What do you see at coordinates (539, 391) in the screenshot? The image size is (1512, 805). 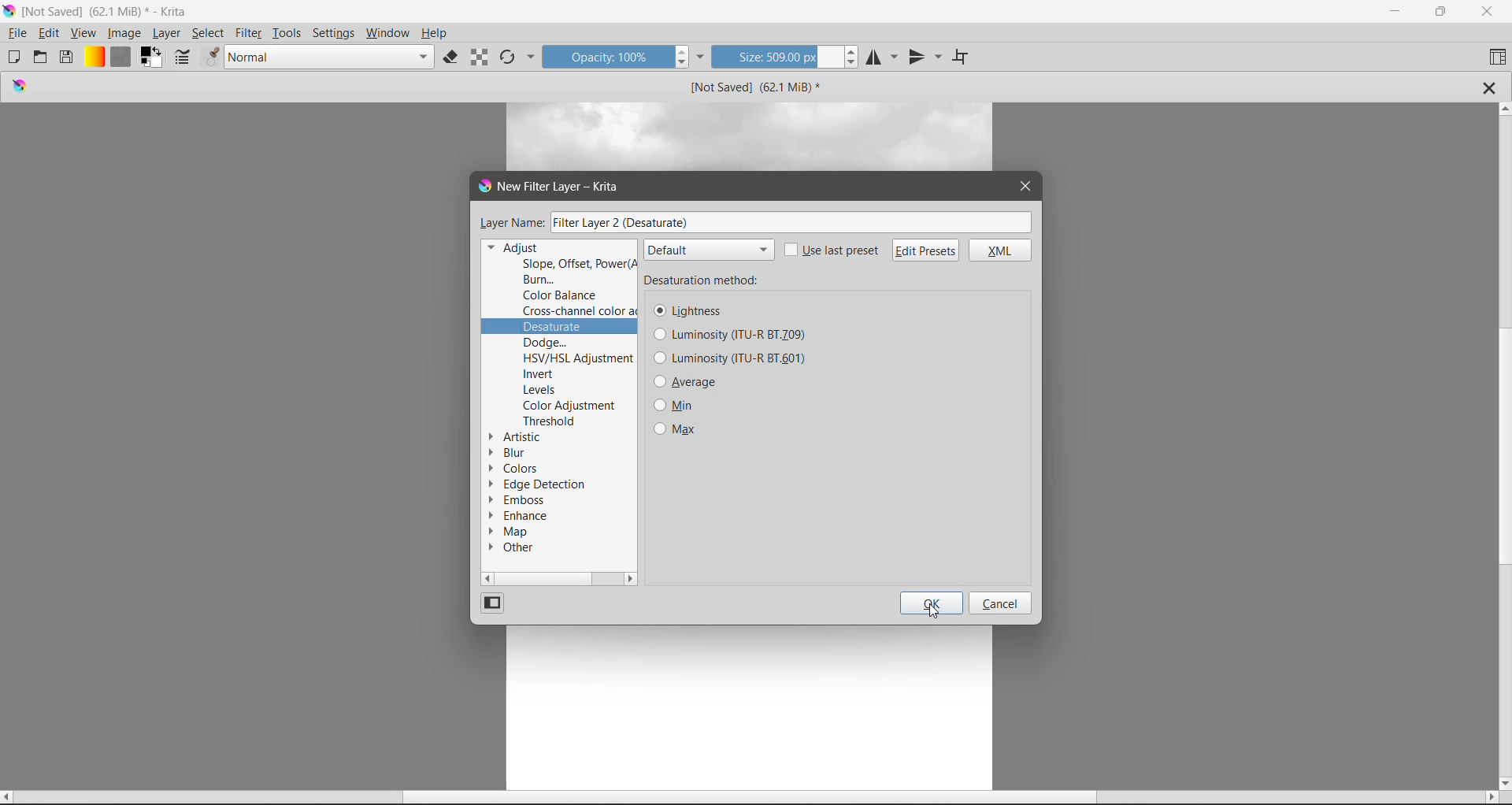 I see `Levels` at bounding box center [539, 391].